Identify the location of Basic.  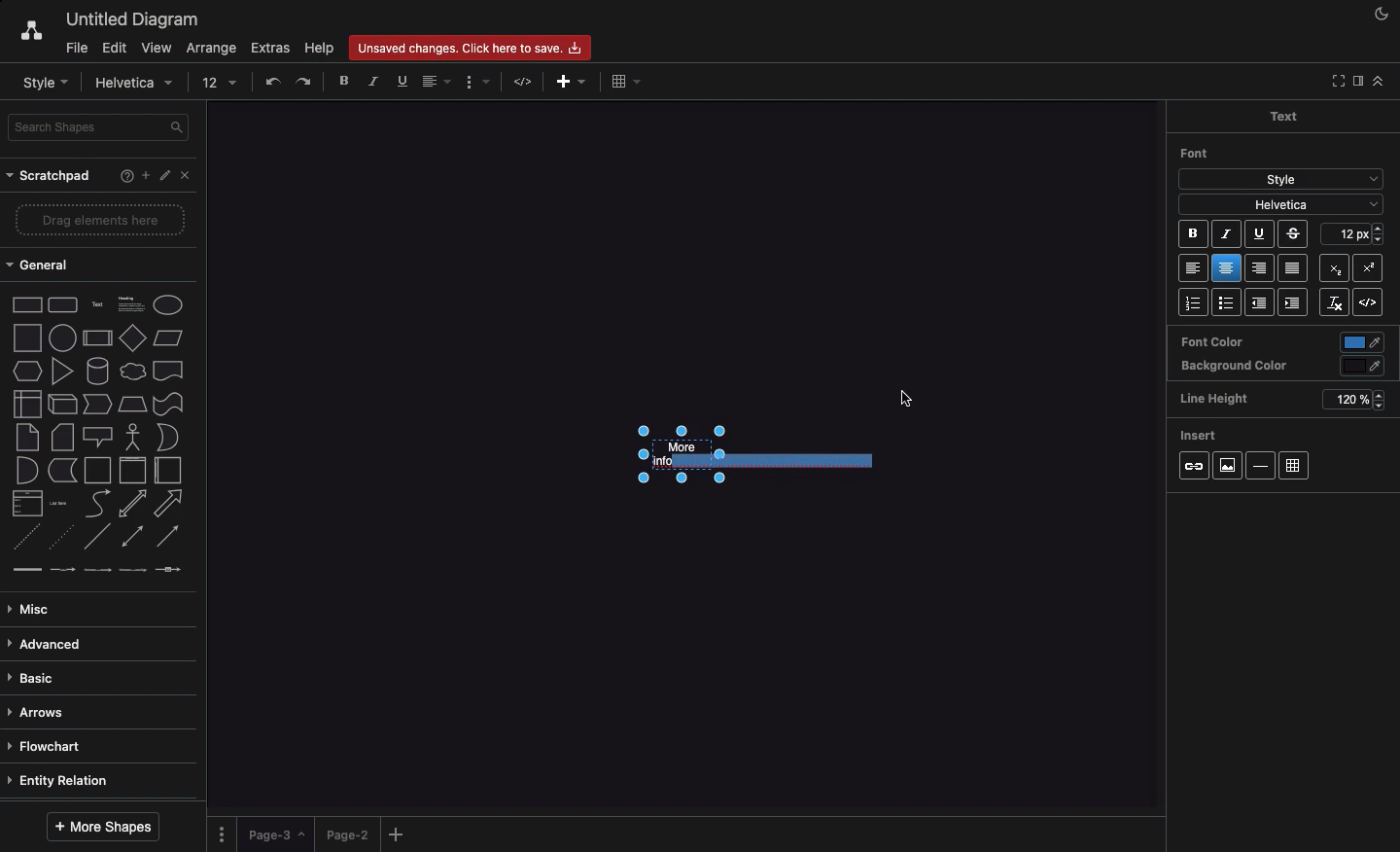
(34, 679).